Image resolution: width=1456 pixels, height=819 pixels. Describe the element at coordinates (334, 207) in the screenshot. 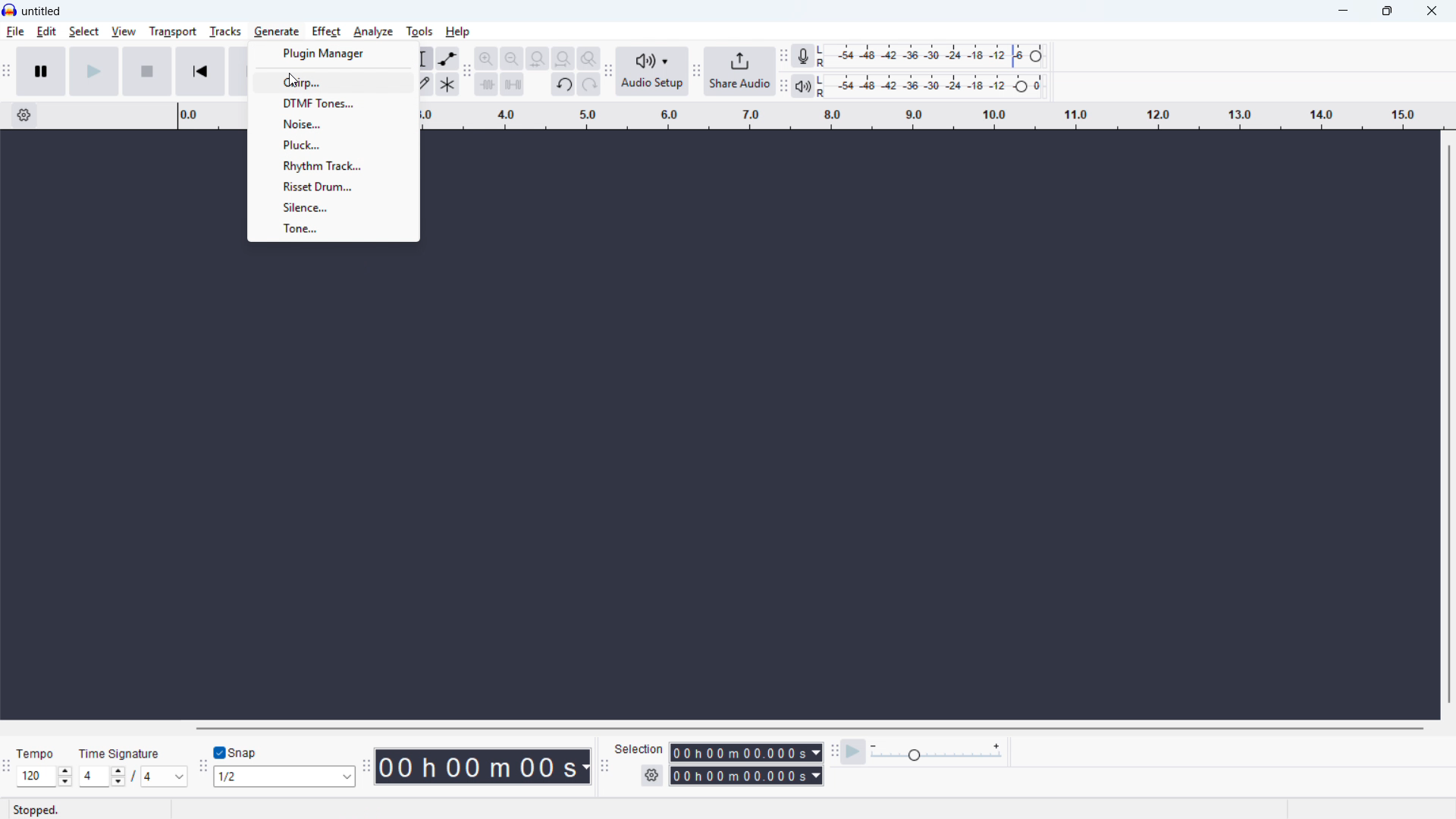

I see `Silence ` at that location.